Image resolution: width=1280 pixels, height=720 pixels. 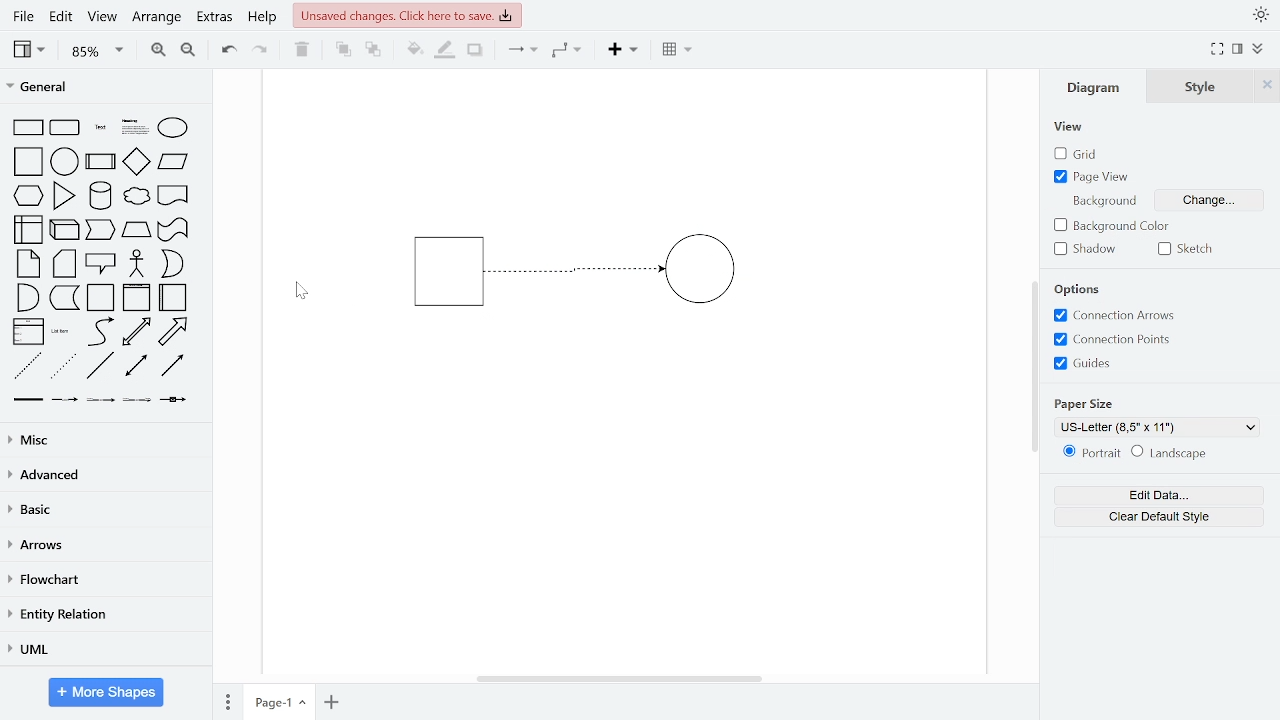 What do you see at coordinates (138, 366) in the screenshot?
I see `bidirectional connector` at bounding box center [138, 366].